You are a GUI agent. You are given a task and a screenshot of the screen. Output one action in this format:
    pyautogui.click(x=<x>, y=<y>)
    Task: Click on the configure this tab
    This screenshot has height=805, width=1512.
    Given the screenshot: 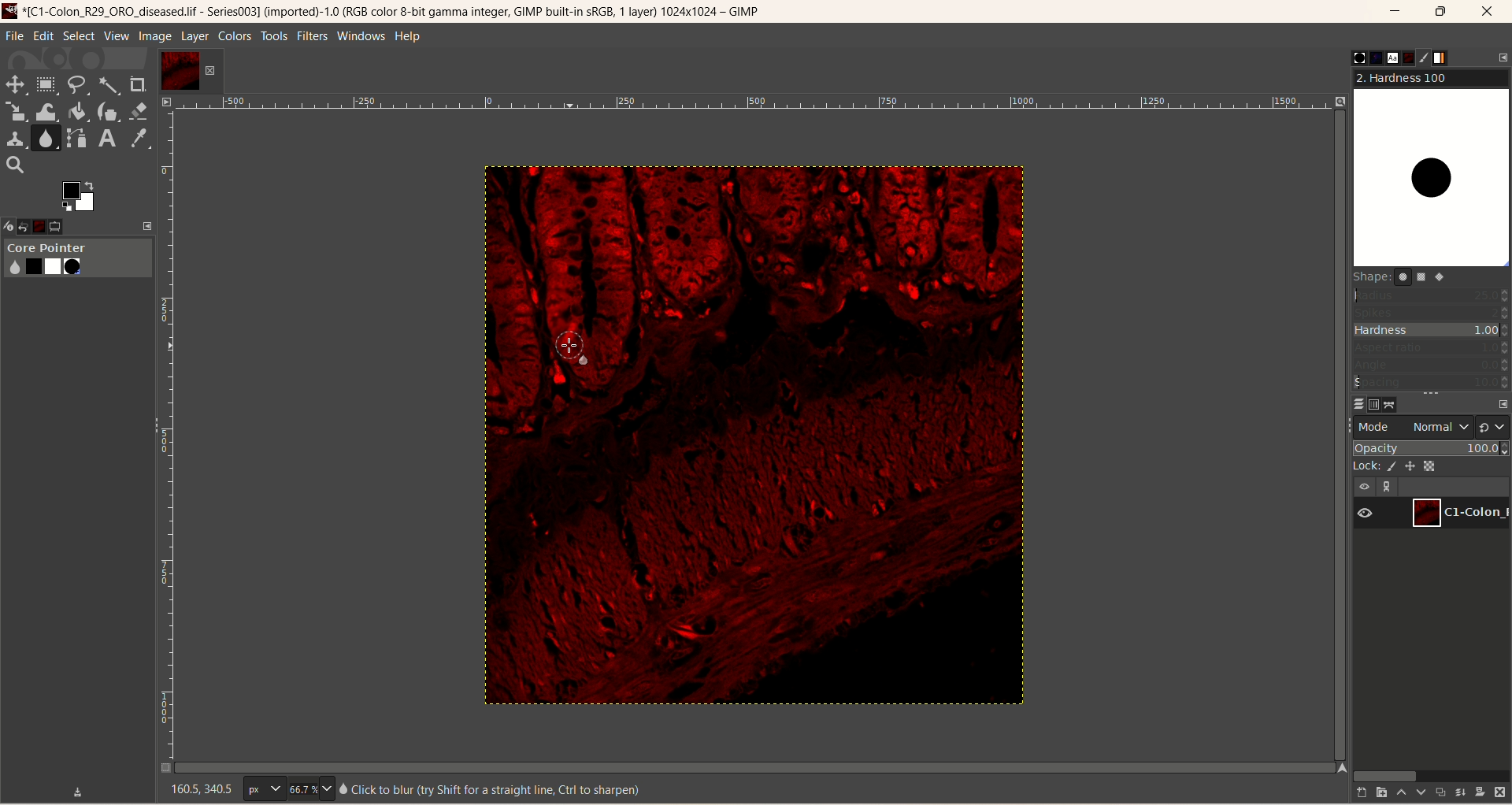 What is the action you would take?
    pyautogui.click(x=1502, y=404)
    